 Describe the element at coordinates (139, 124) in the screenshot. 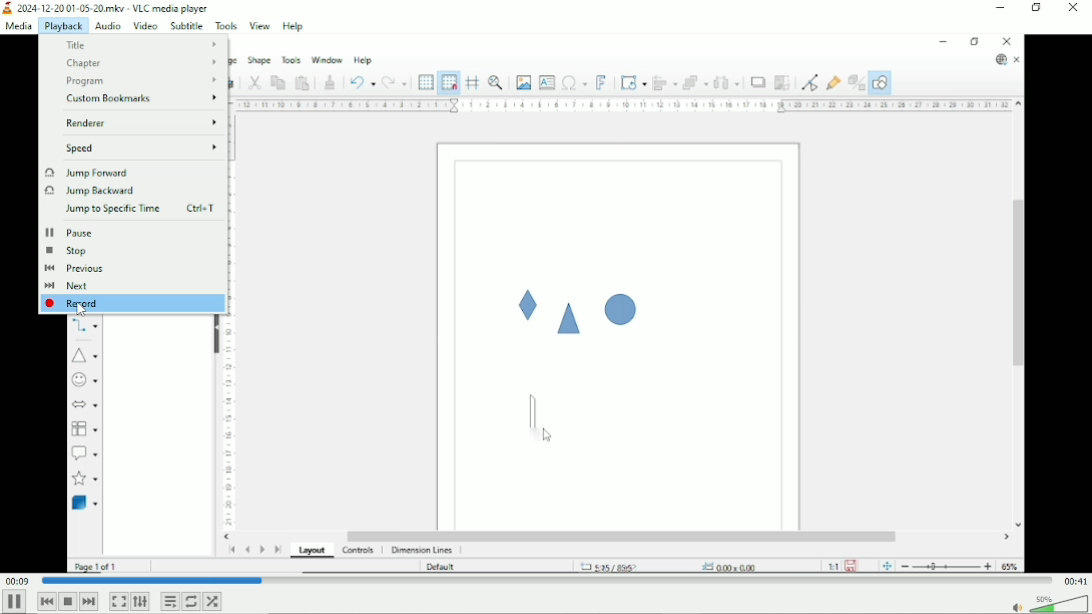

I see `Renderer` at that location.